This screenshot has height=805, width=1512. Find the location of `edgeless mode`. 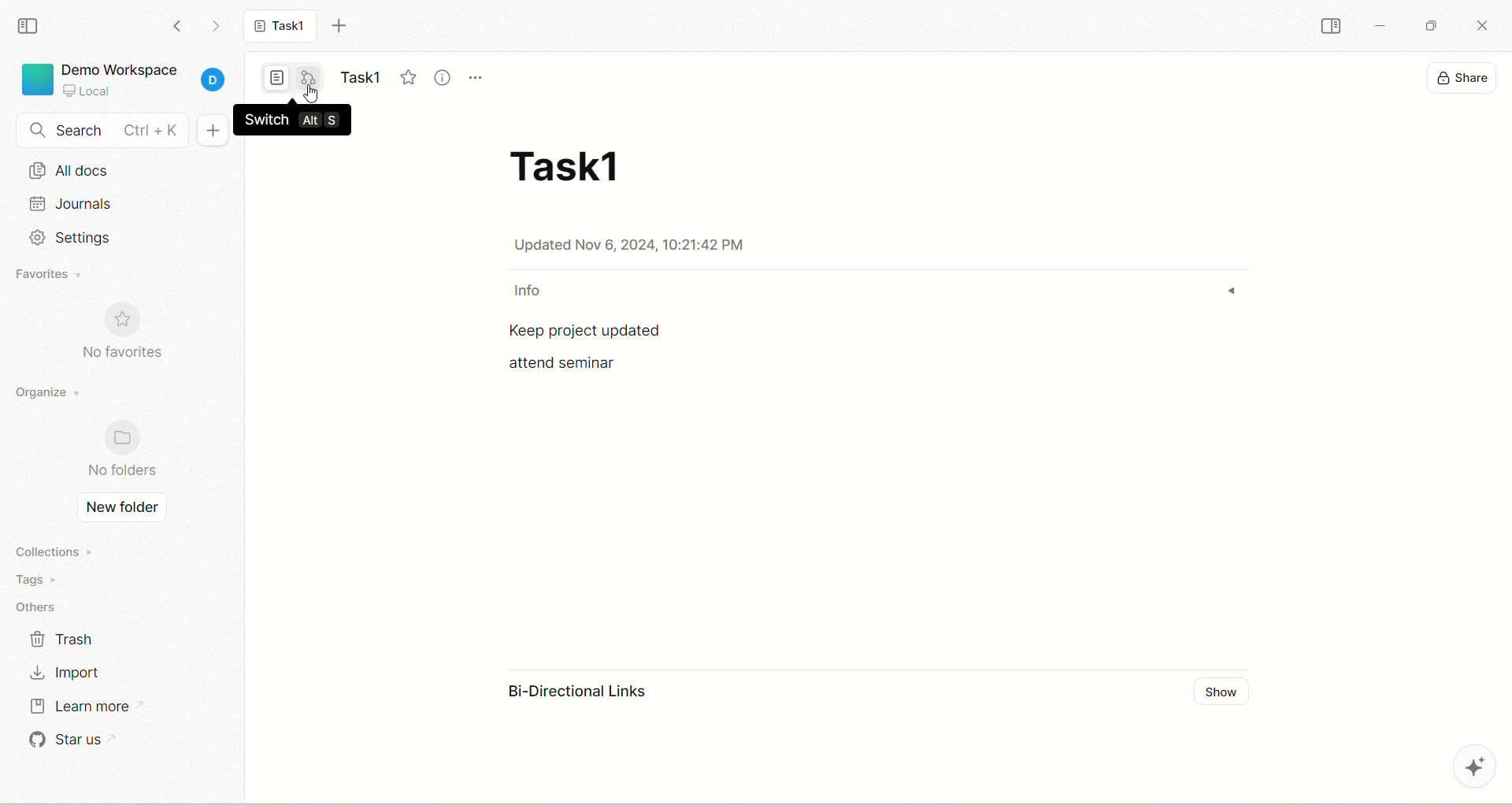

edgeless mode is located at coordinates (305, 78).